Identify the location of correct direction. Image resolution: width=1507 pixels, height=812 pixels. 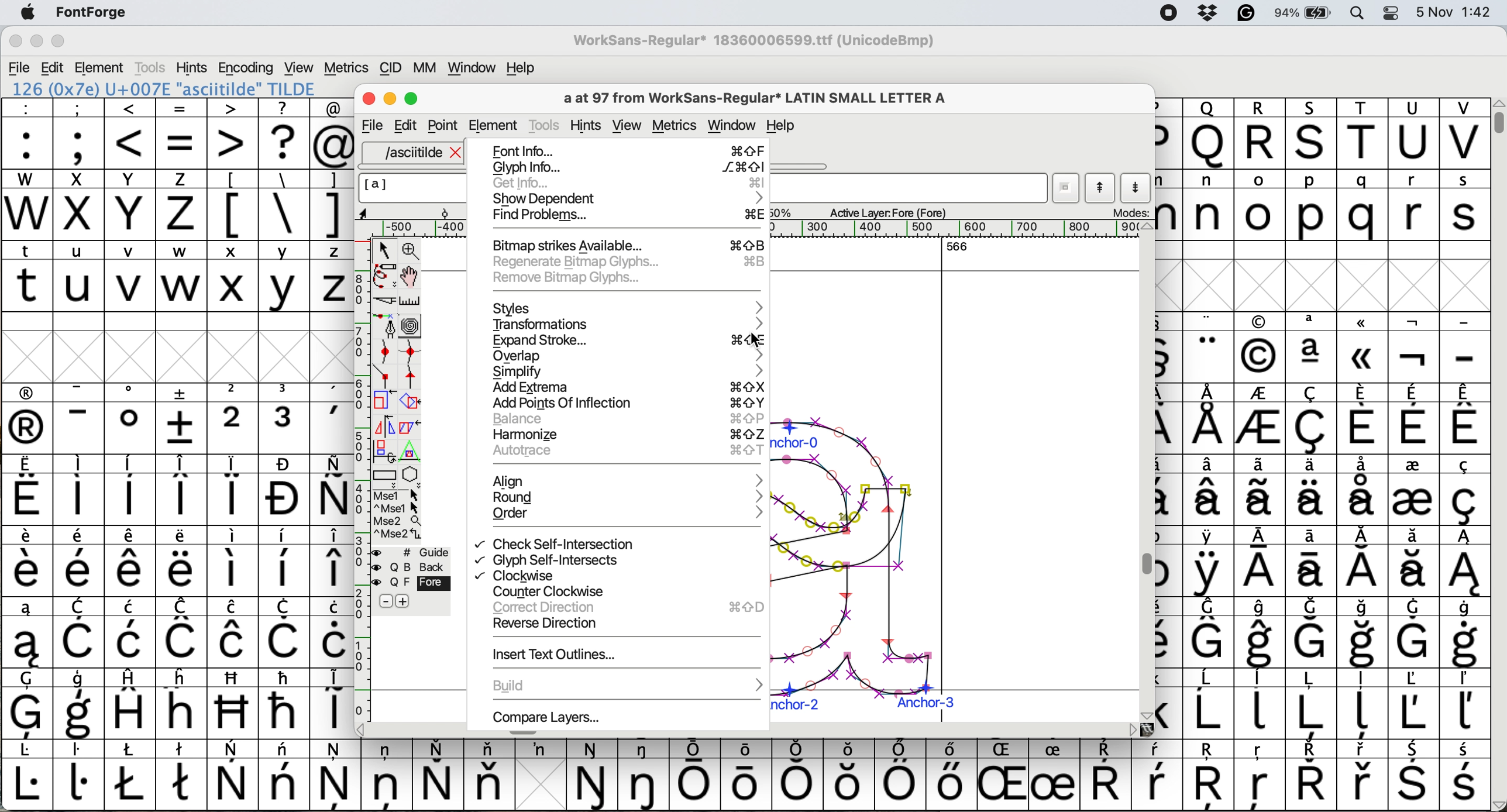
(620, 607).